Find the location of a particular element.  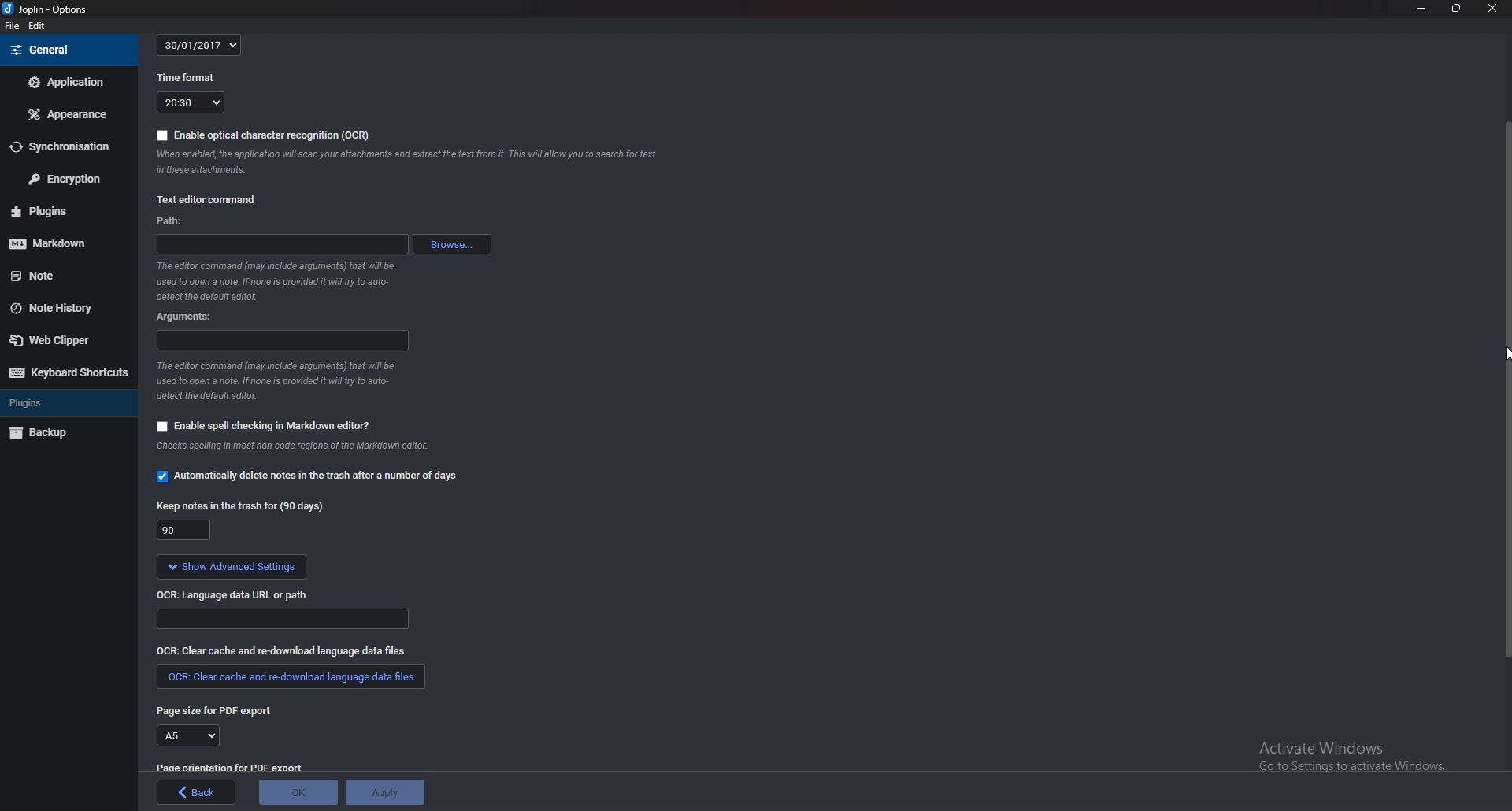

Note history is located at coordinates (61, 309).